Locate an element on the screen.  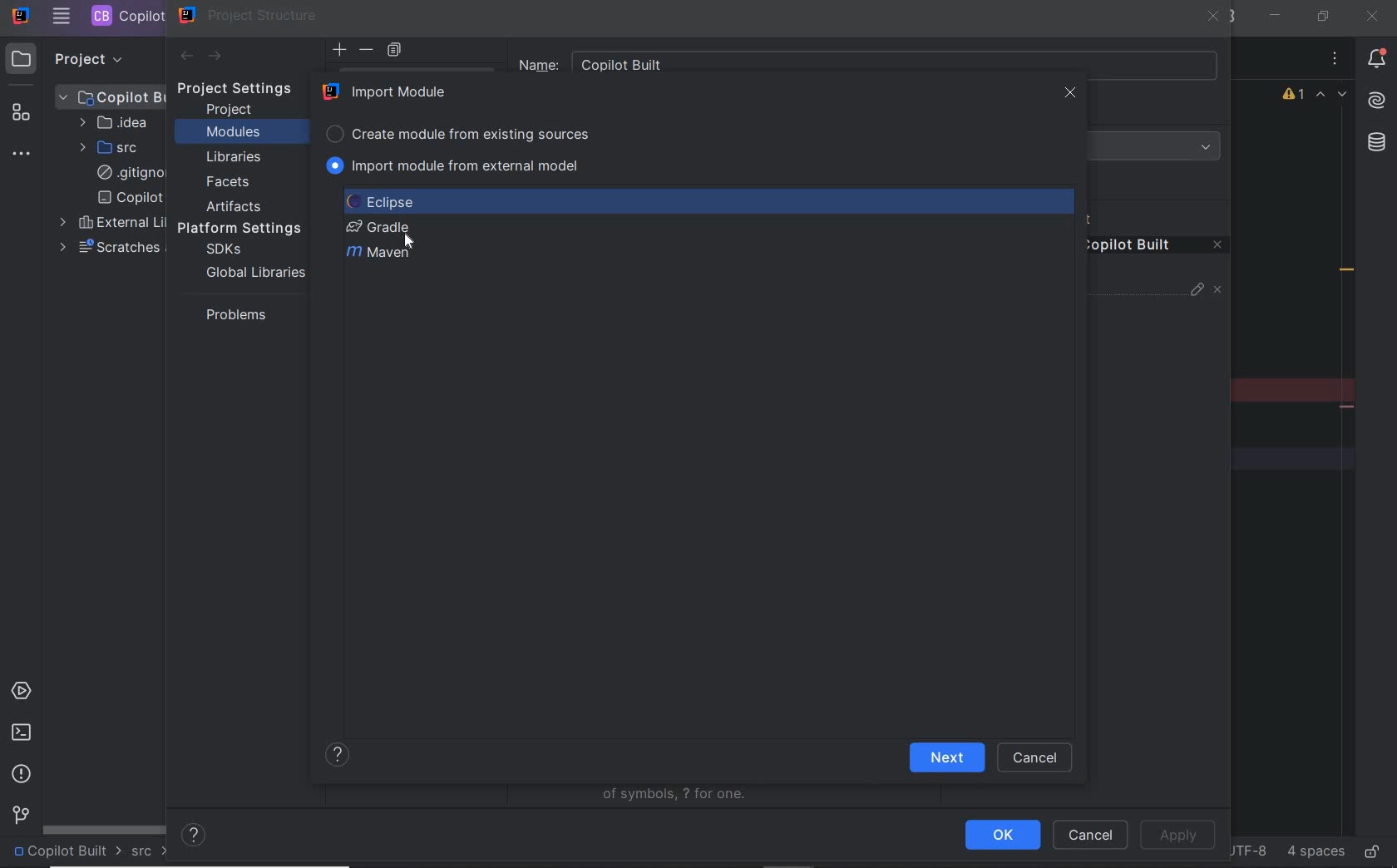
add is located at coordinates (339, 50).